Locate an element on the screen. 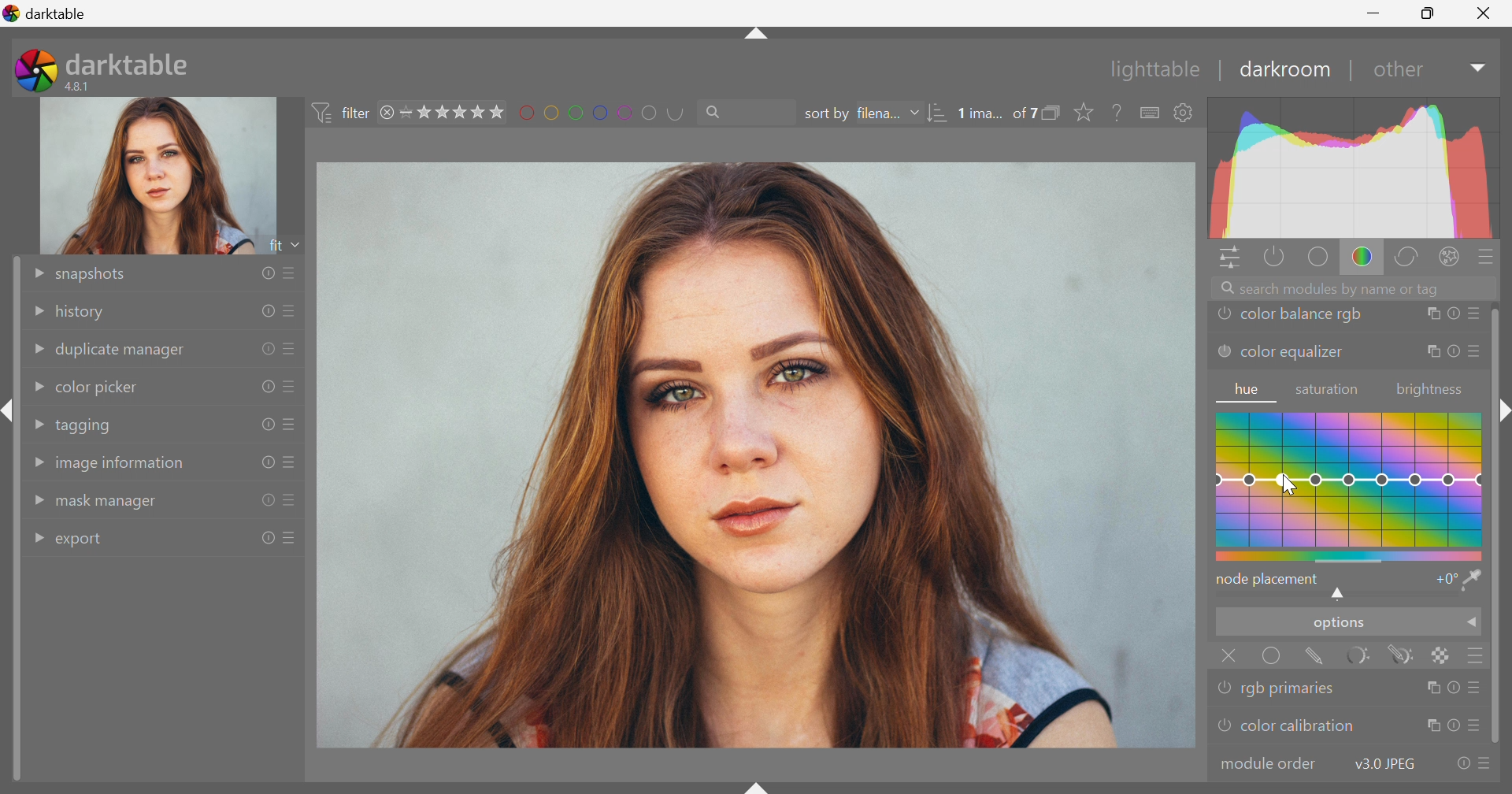 Image resolution: width=1512 pixels, height=794 pixels. Collapse  is located at coordinates (1504, 411).